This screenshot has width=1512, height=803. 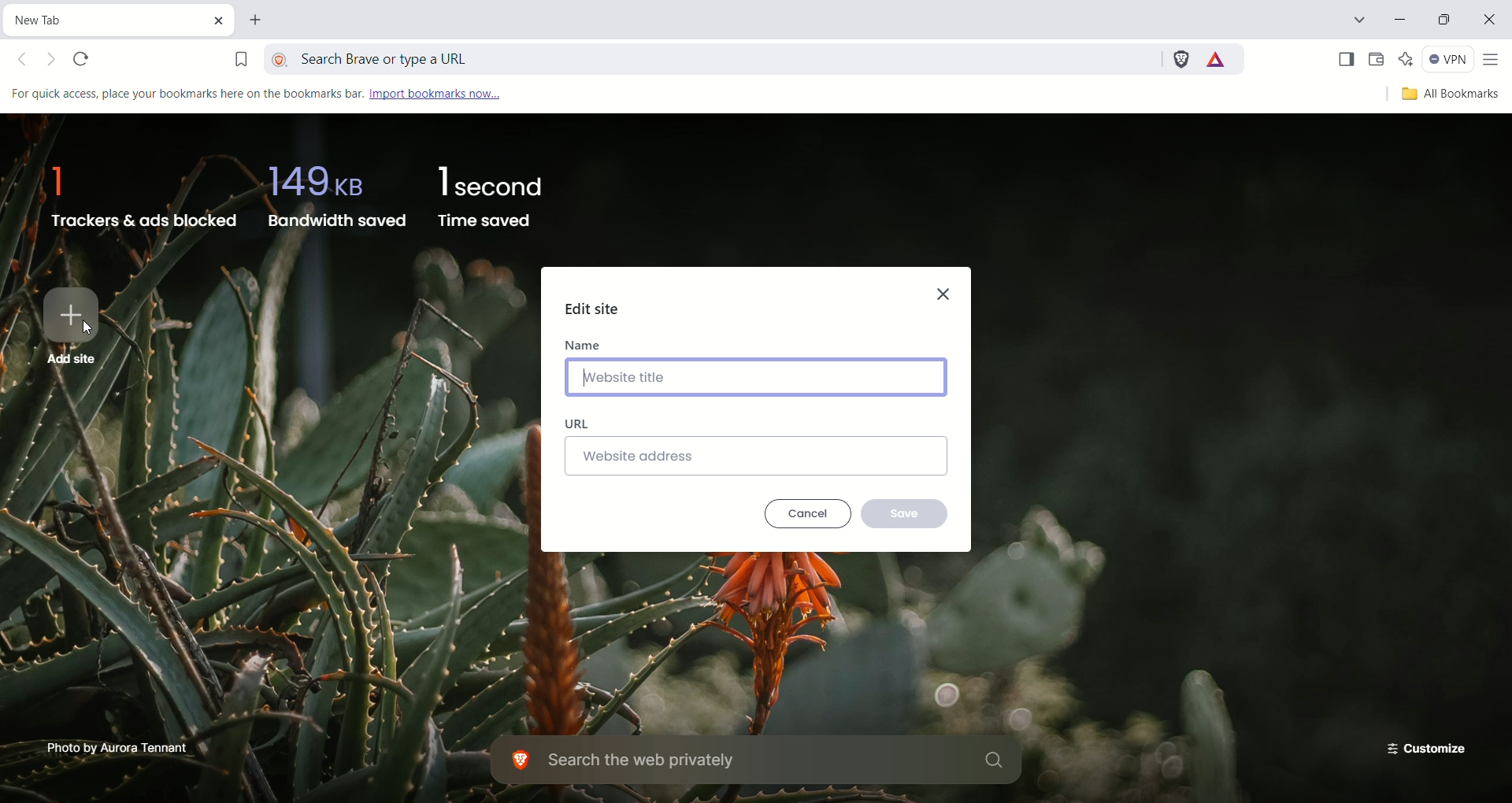 I want to click on website address, so click(x=757, y=456).